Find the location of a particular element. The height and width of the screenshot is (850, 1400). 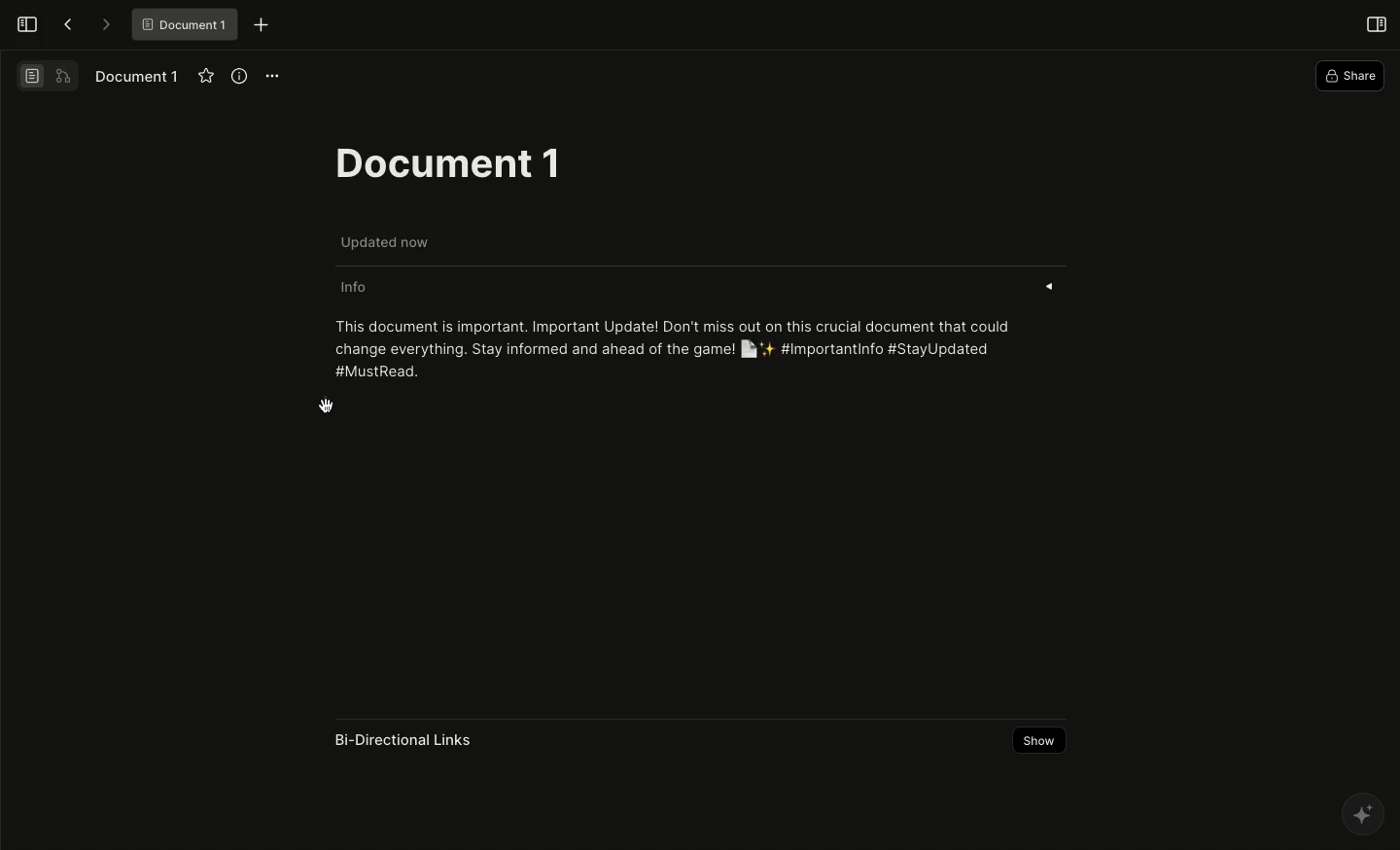

Back is located at coordinates (62, 23).